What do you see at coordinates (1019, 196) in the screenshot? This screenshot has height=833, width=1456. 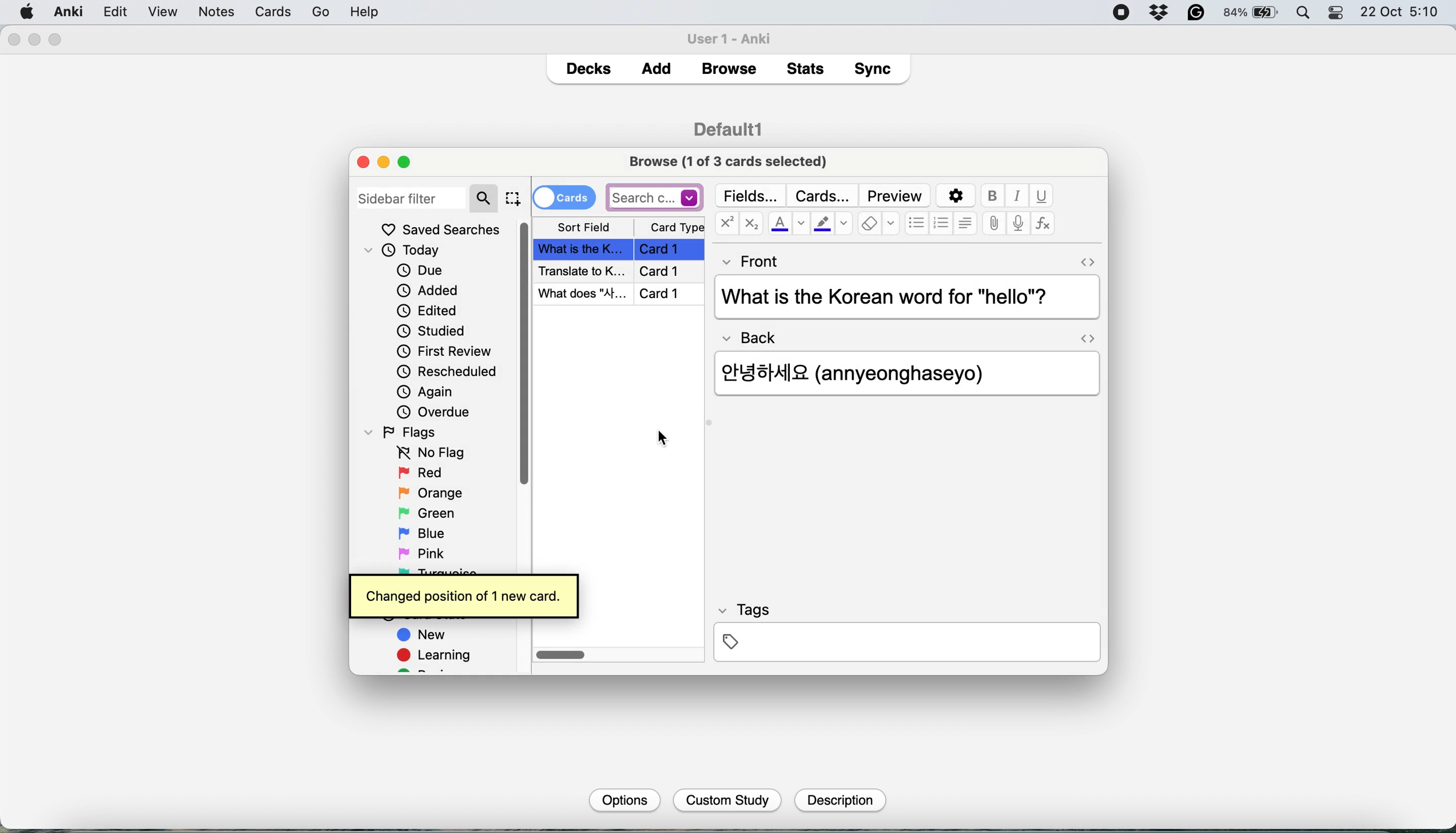 I see `italic` at bounding box center [1019, 196].